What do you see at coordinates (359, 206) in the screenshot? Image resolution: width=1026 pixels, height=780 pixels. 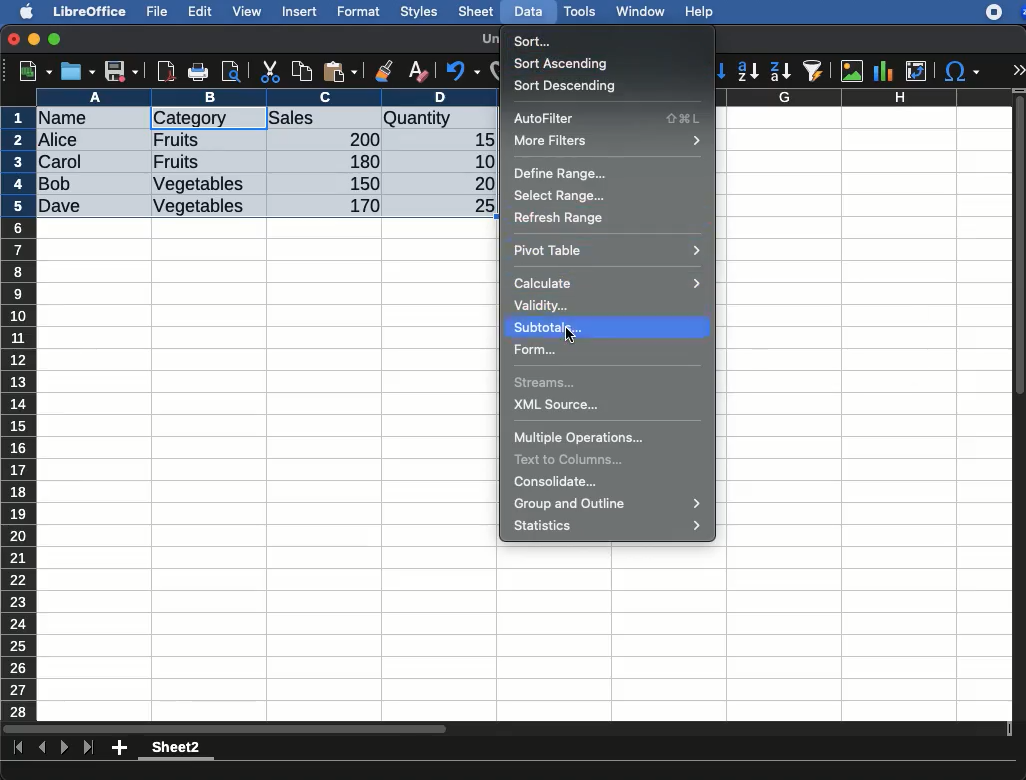 I see `170` at bounding box center [359, 206].